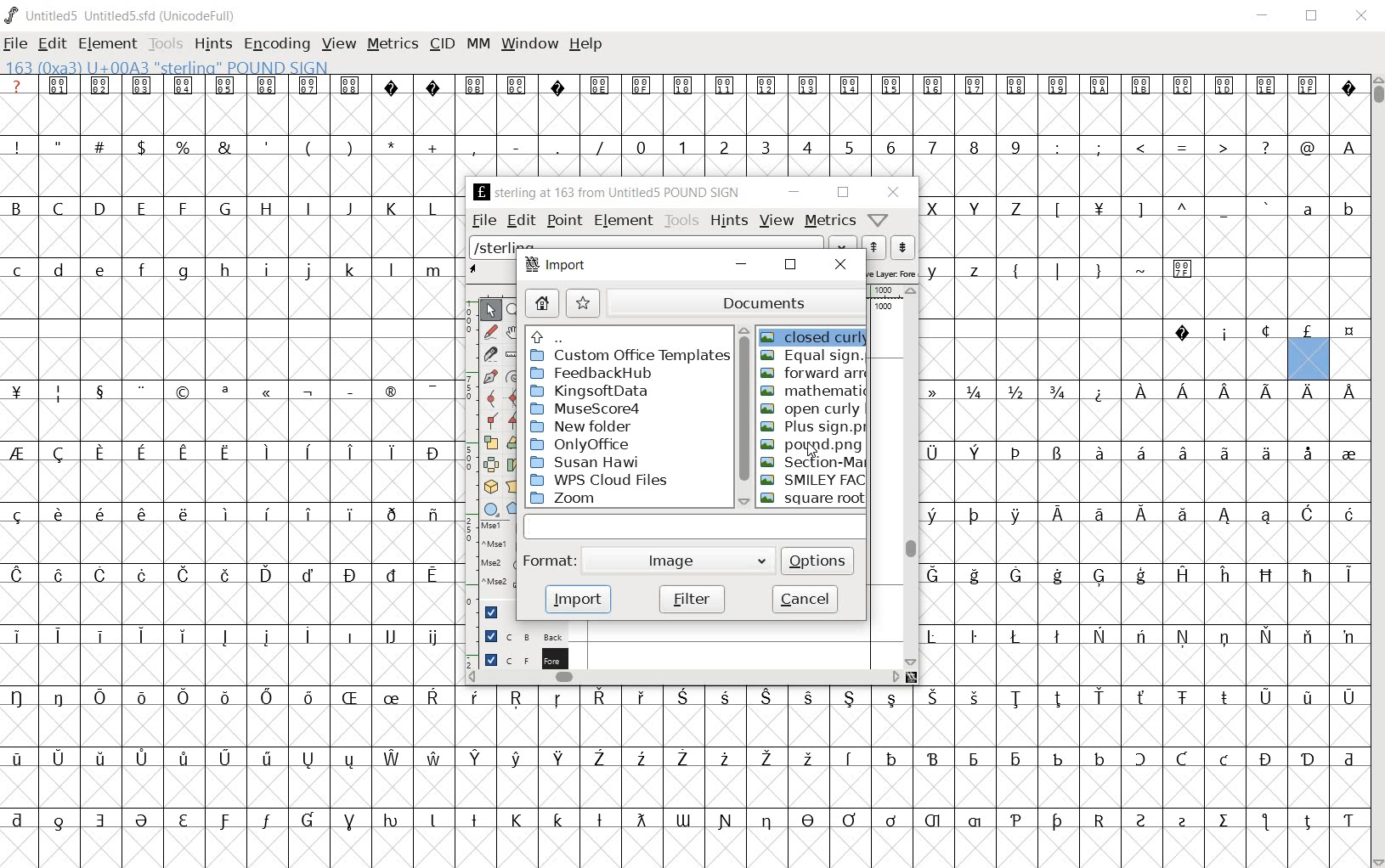 This screenshot has height=868, width=1385. What do you see at coordinates (228, 450) in the screenshot?
I see `Symbol` at bounding box center [228, 450].